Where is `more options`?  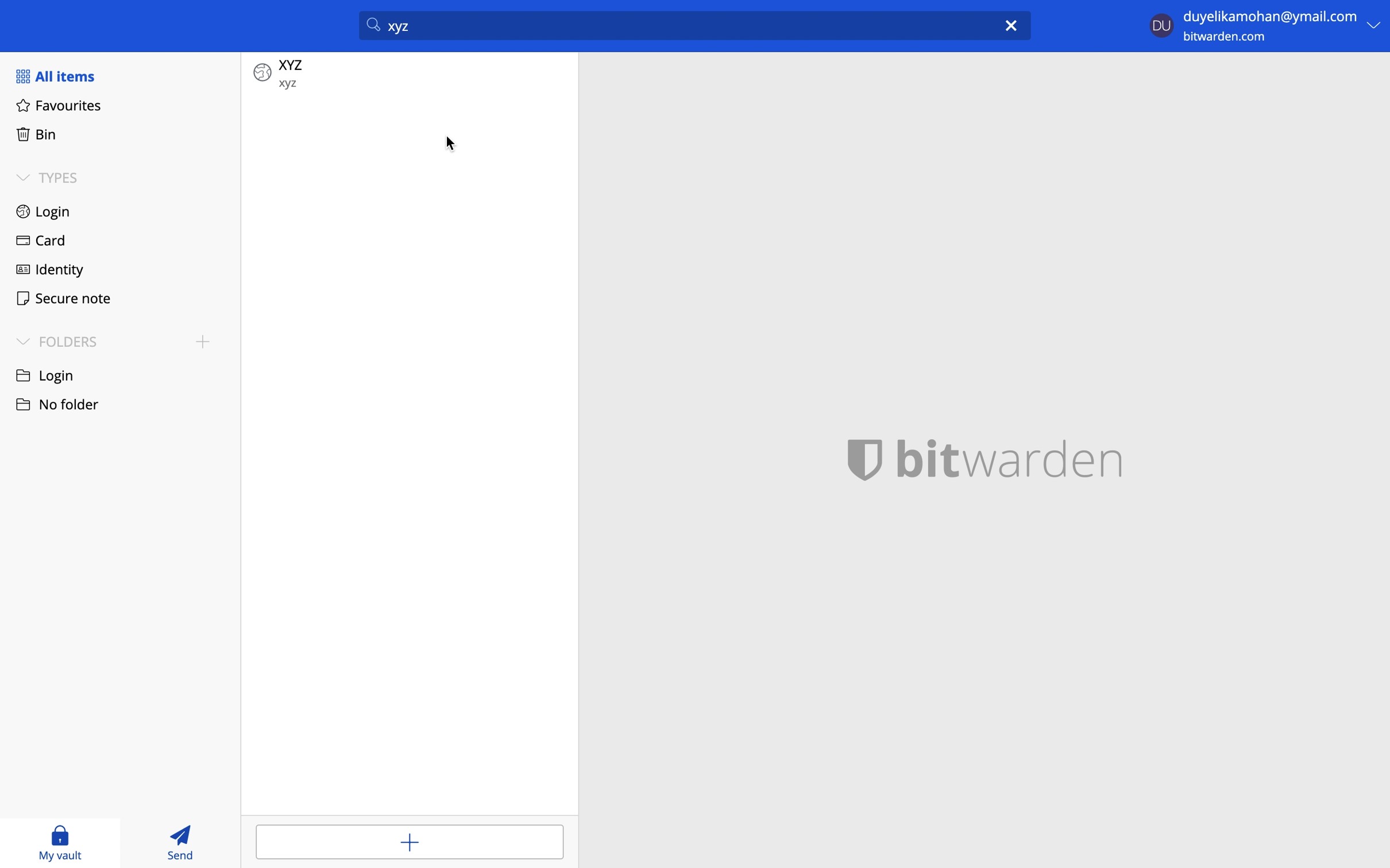
more options is located at coordinates (1375, 26).